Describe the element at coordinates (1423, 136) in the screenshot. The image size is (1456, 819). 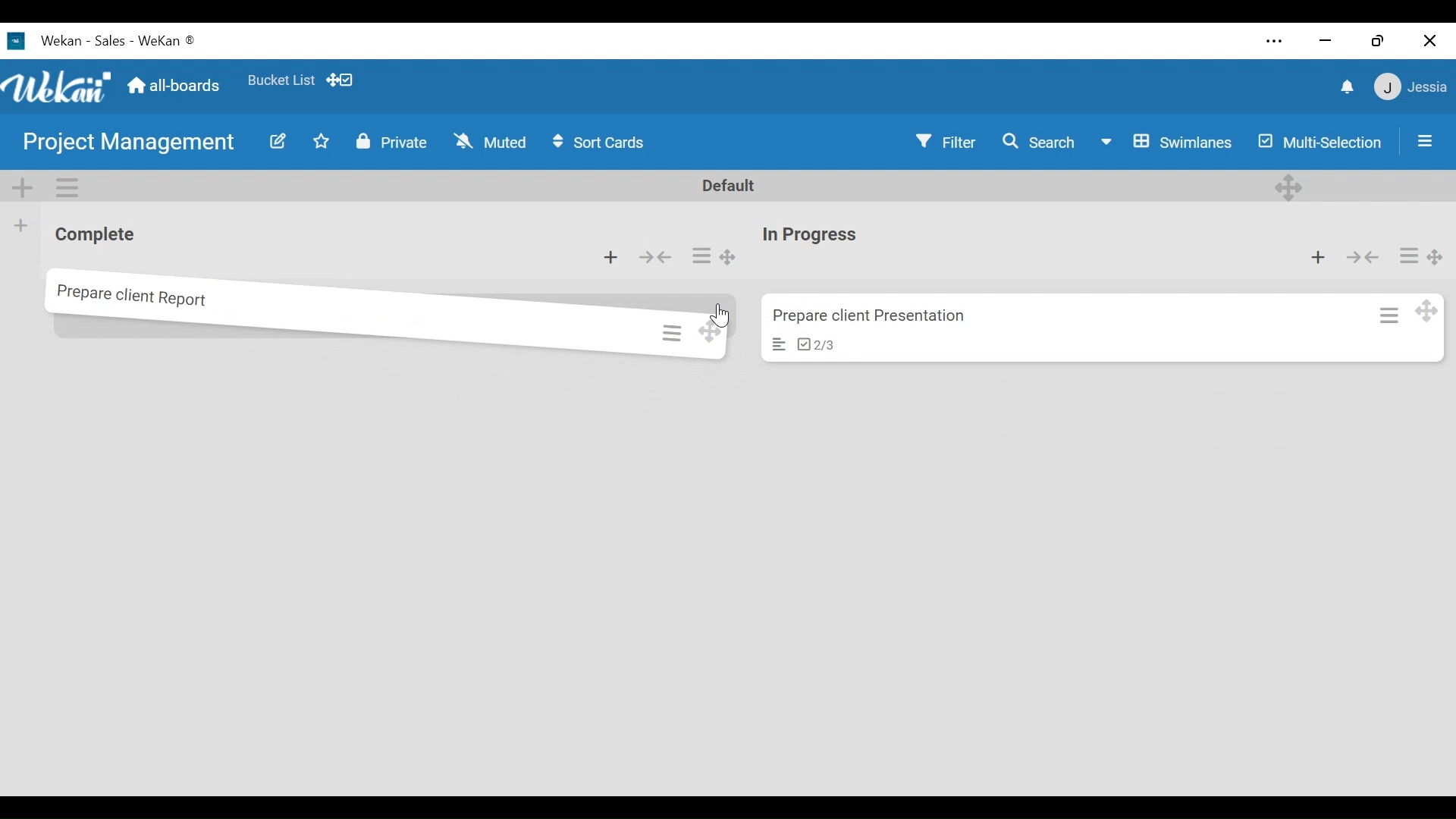
I see `Sidebar` at that location.